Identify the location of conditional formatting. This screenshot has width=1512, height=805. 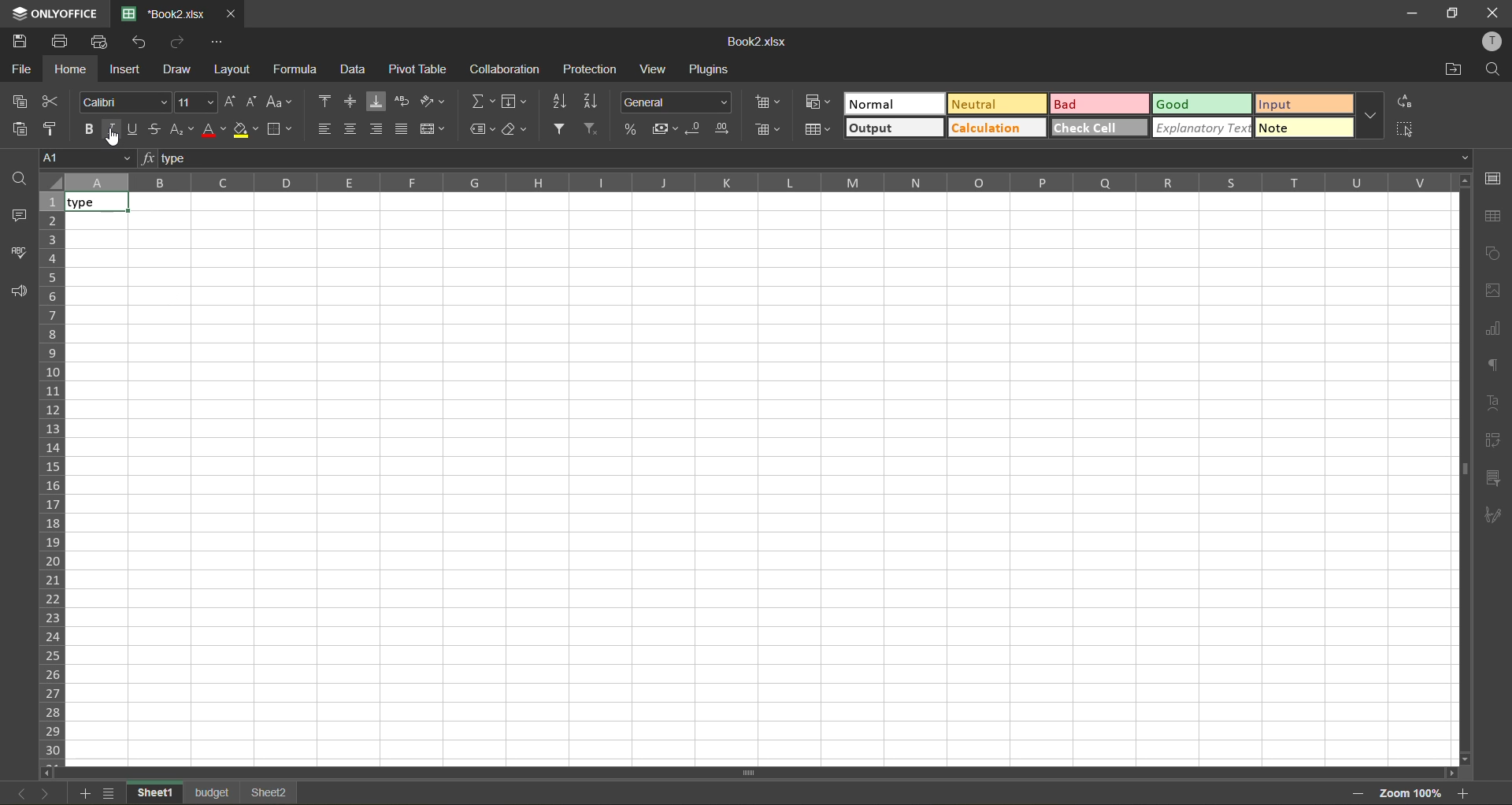
(816, 102).